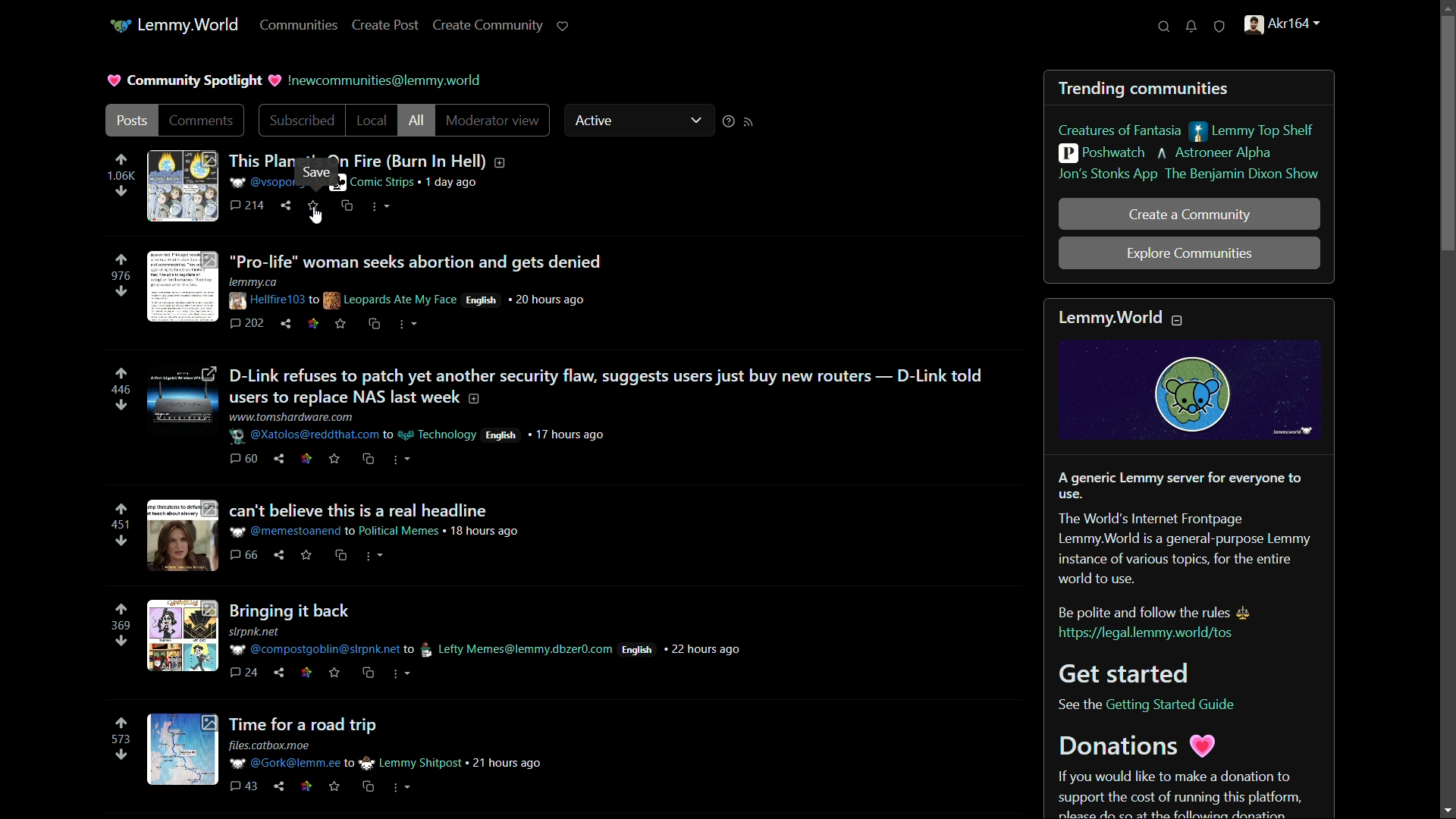 This screenshot has height=819, width=1456. I want to click on support lemmy.world, so click(565, 27).